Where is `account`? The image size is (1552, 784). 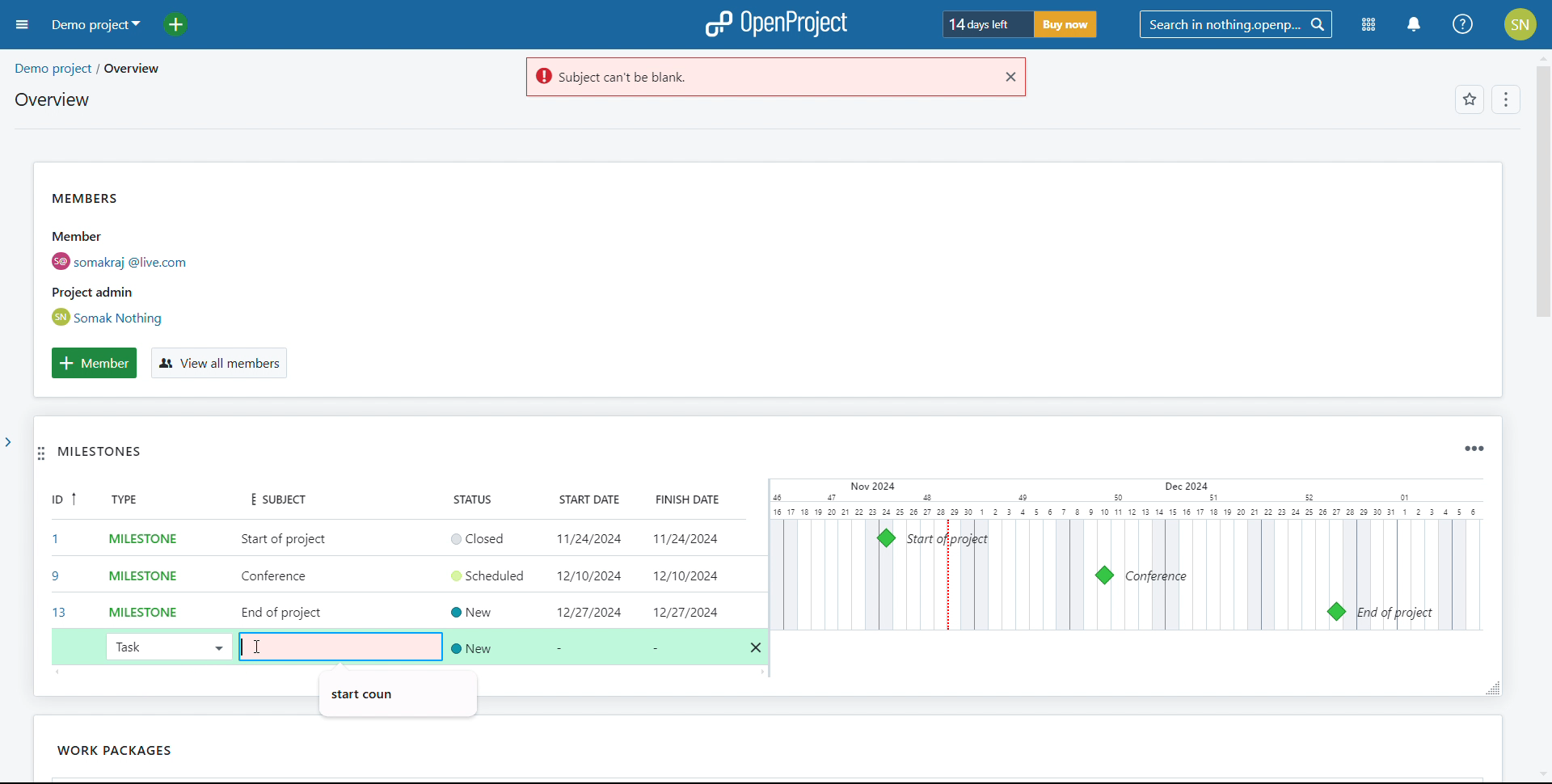 account is located at coordinates (1521, 24).